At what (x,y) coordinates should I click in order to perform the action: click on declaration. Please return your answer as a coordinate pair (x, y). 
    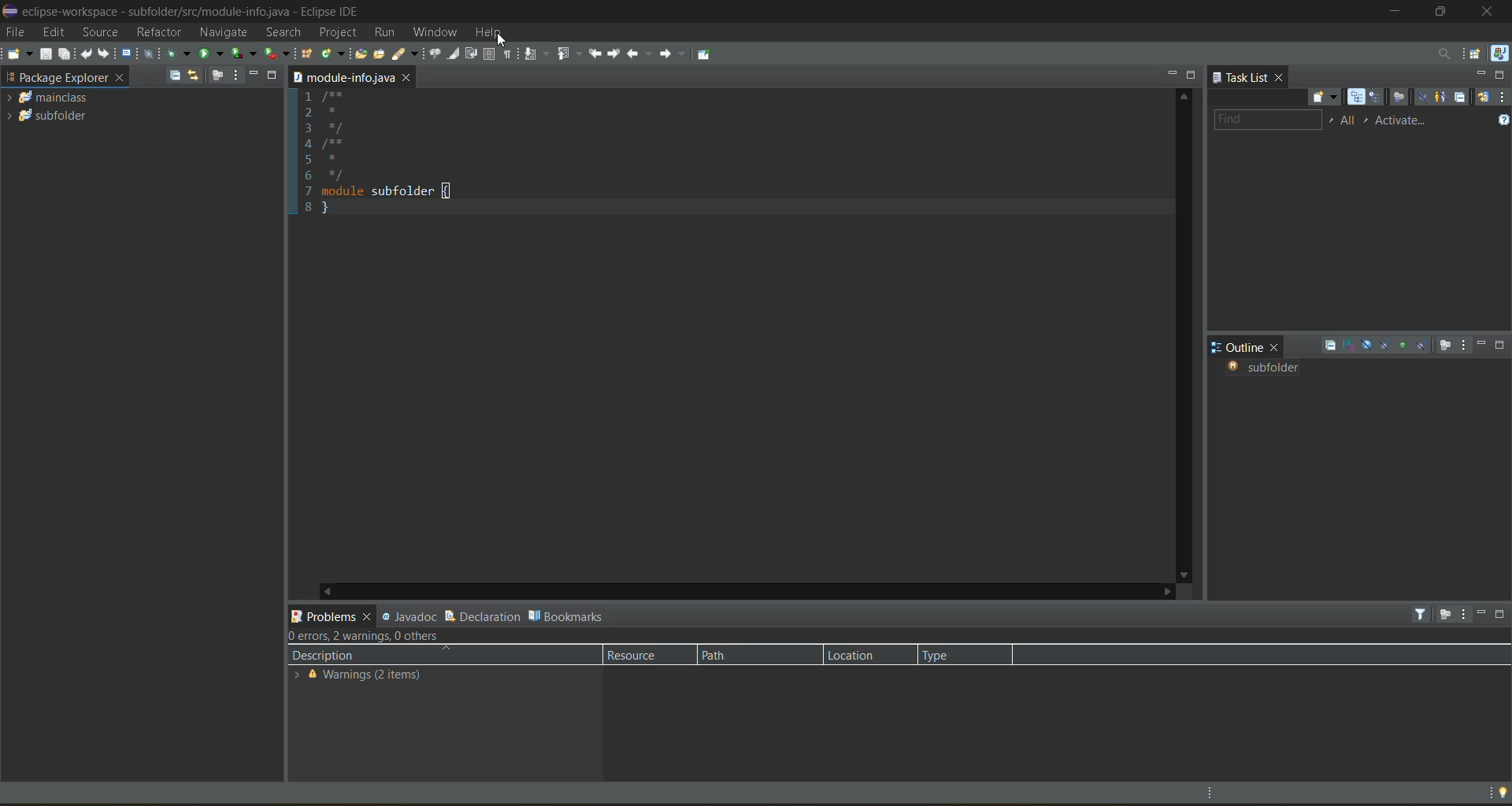
    Looking at the image, I should click on (481, 613).